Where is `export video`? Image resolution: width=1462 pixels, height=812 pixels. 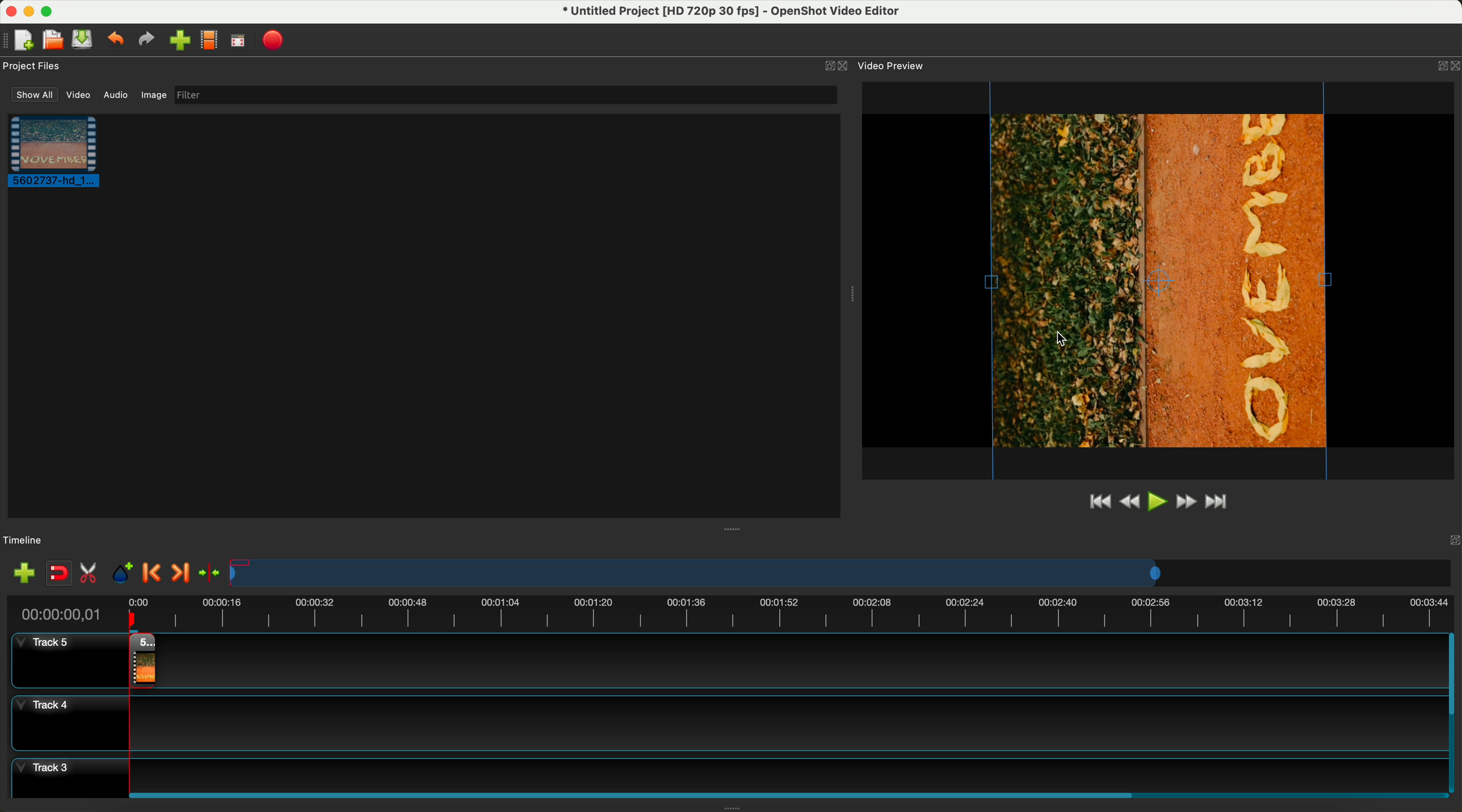 export video is located at coordinates (274, 40).